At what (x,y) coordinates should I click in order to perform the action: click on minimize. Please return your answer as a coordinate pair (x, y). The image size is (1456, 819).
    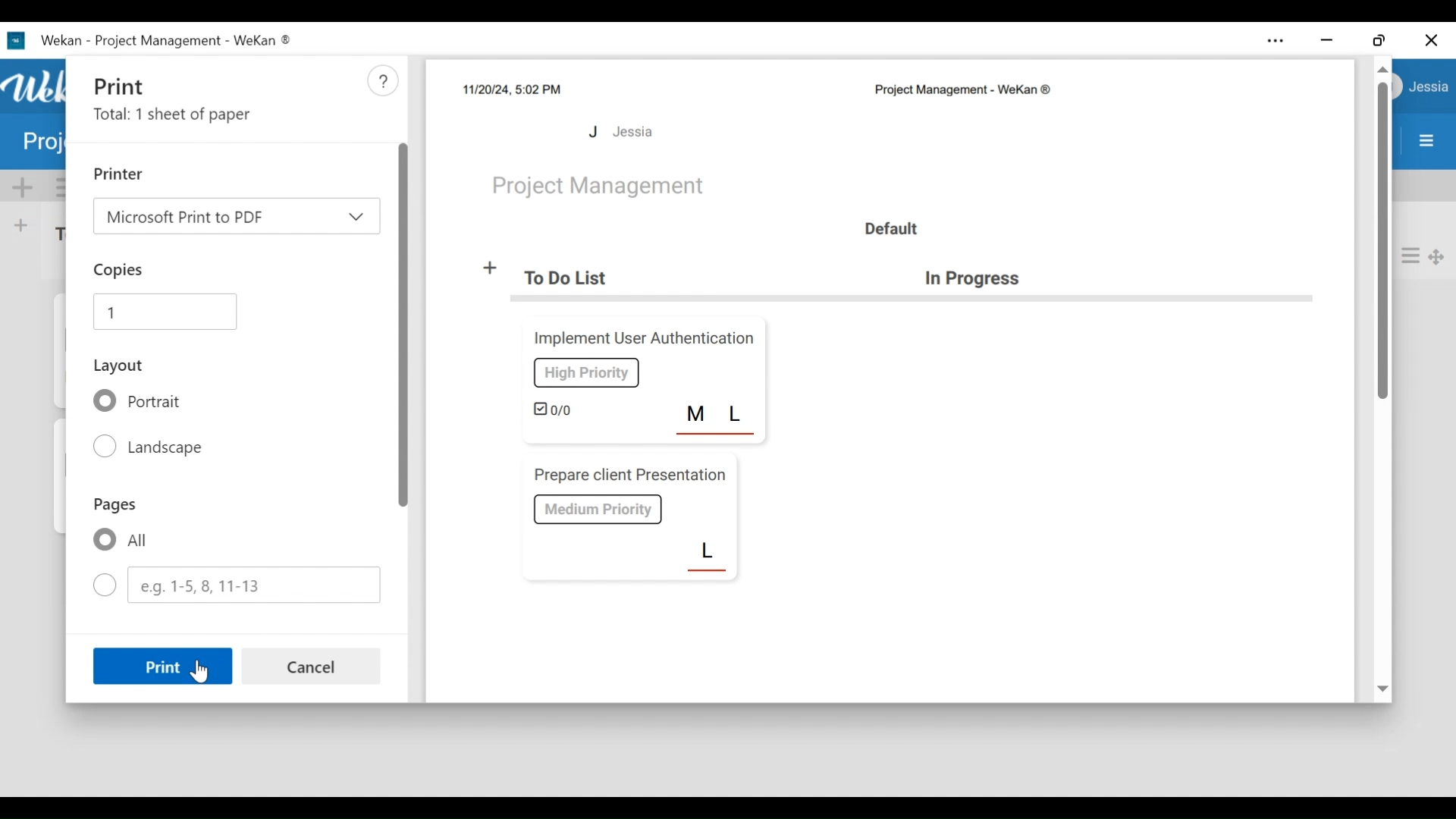
    Looking at the image, I should click on (1328, 40).